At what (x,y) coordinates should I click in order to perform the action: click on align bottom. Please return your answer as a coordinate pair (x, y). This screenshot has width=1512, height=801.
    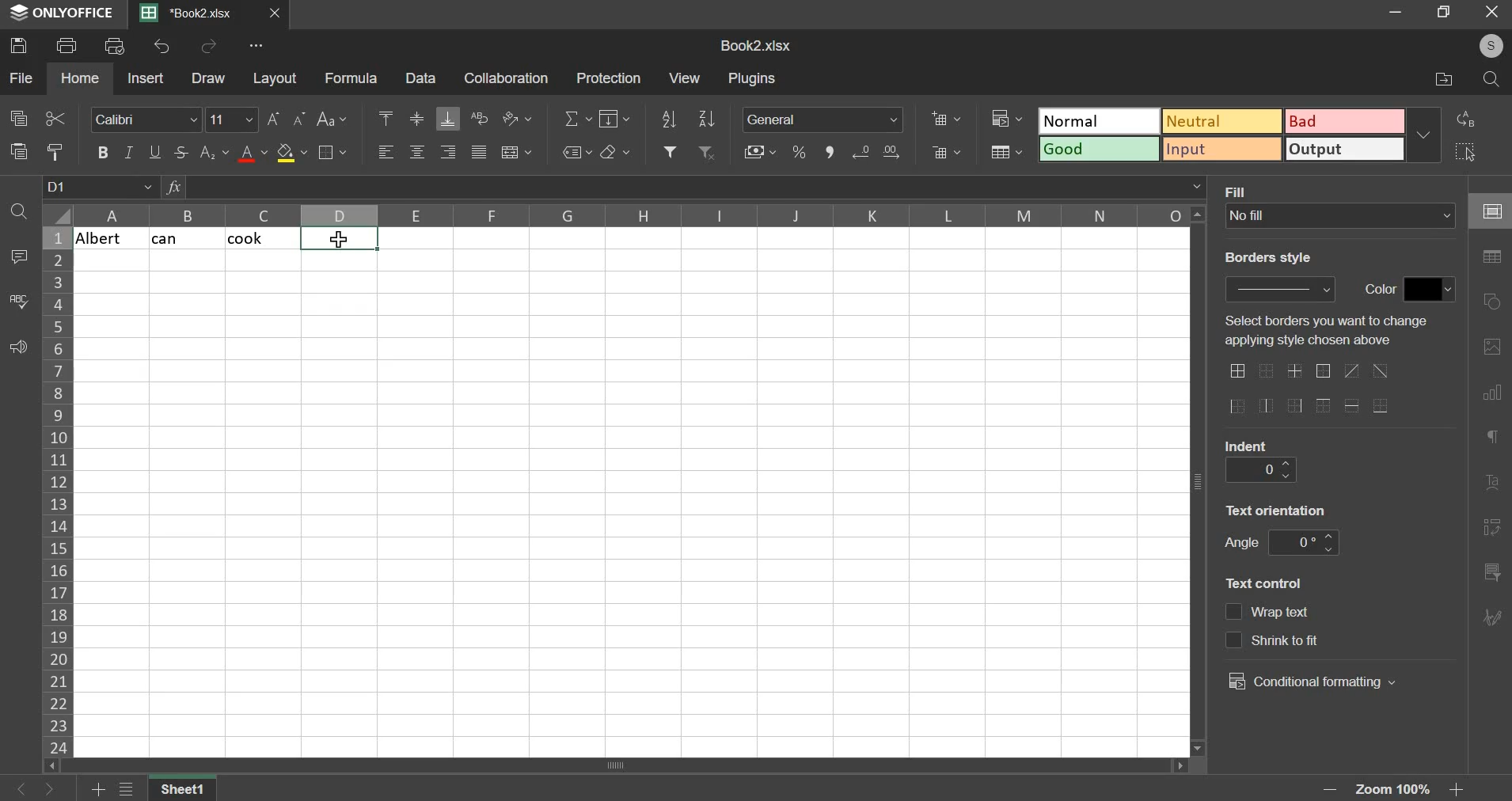
    Looking at the image, I should click on (448, 119).